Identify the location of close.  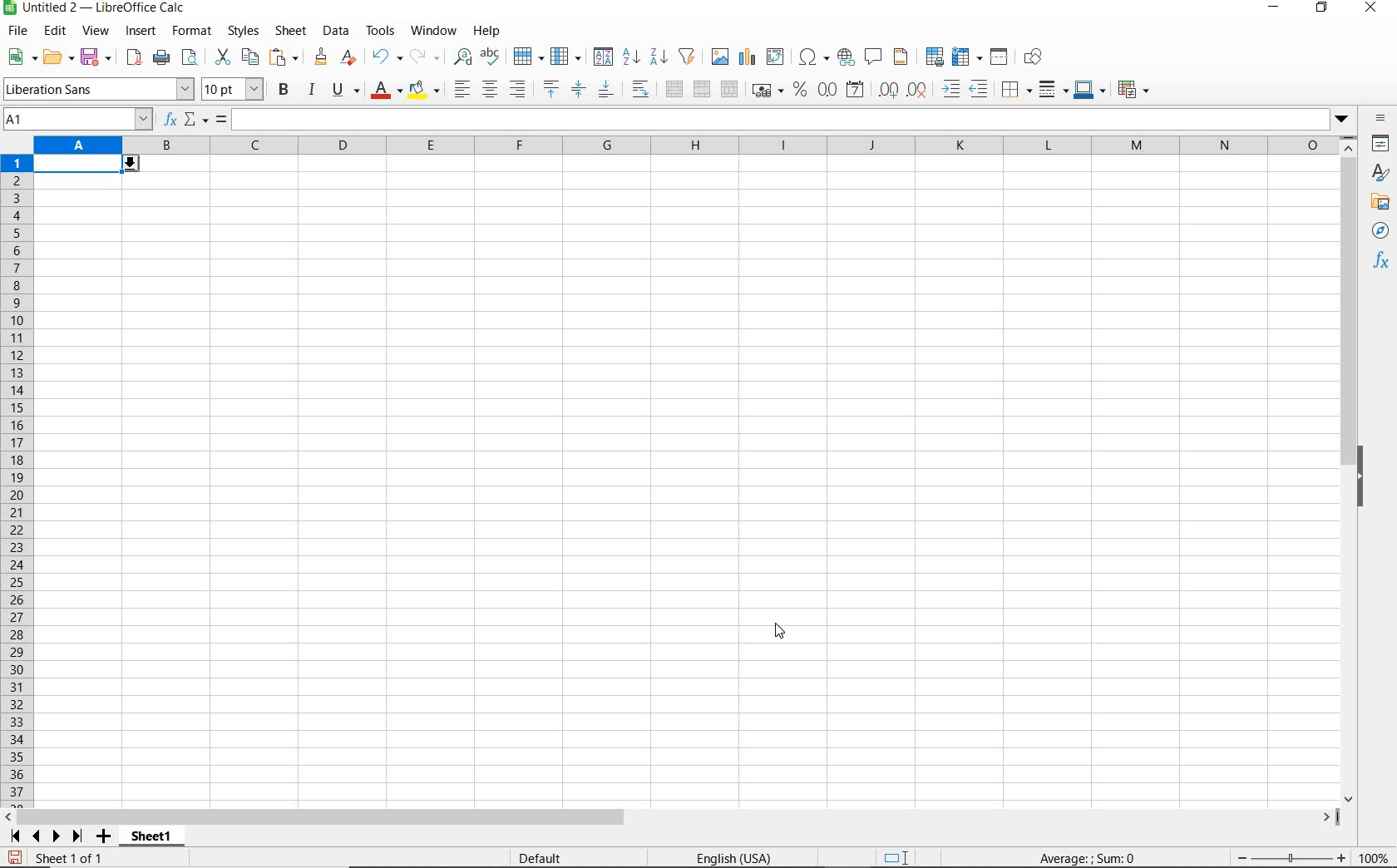
(1370, 8).